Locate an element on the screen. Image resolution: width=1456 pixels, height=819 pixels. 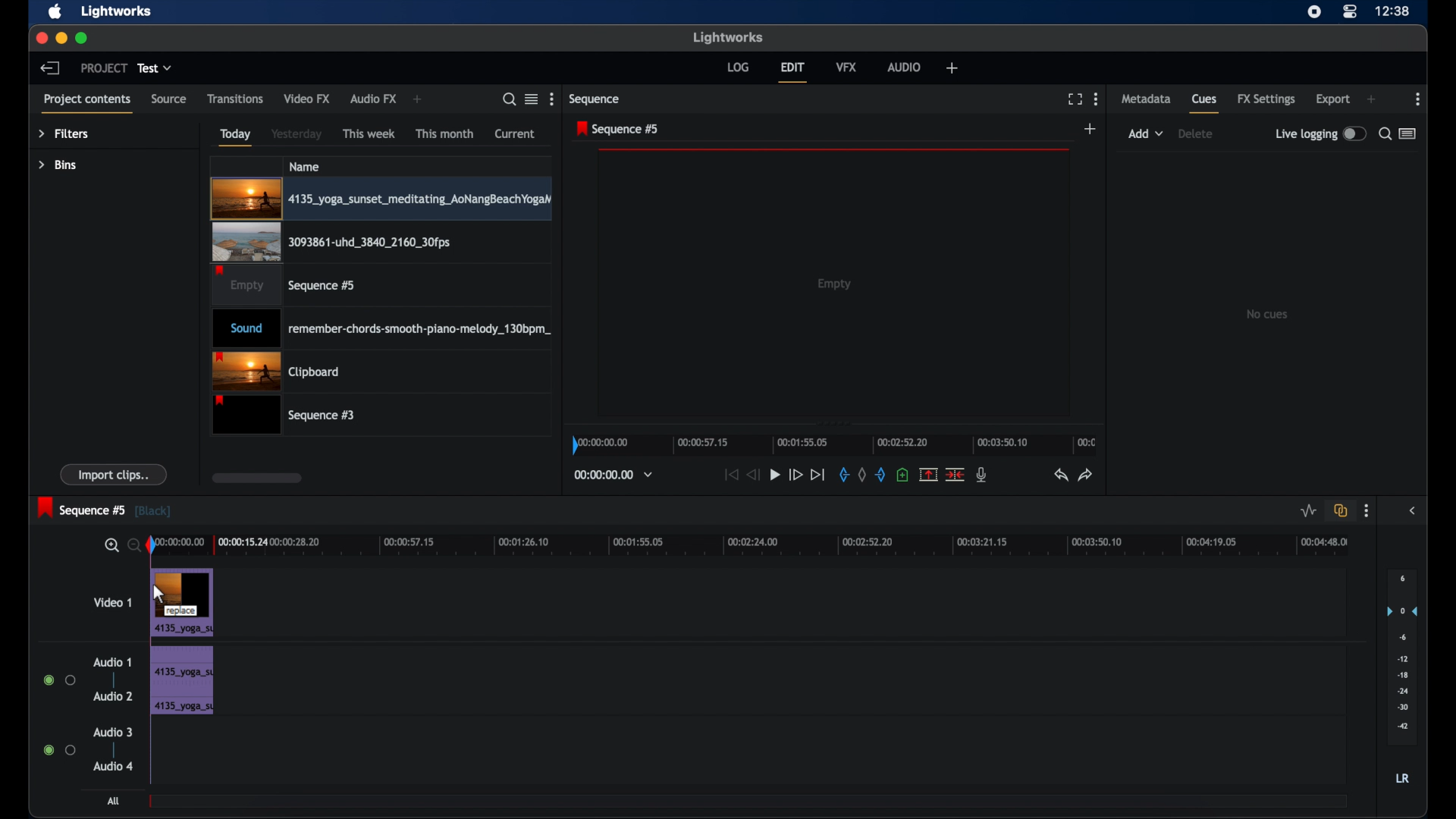
video clip is located at coordinates (282, 286).